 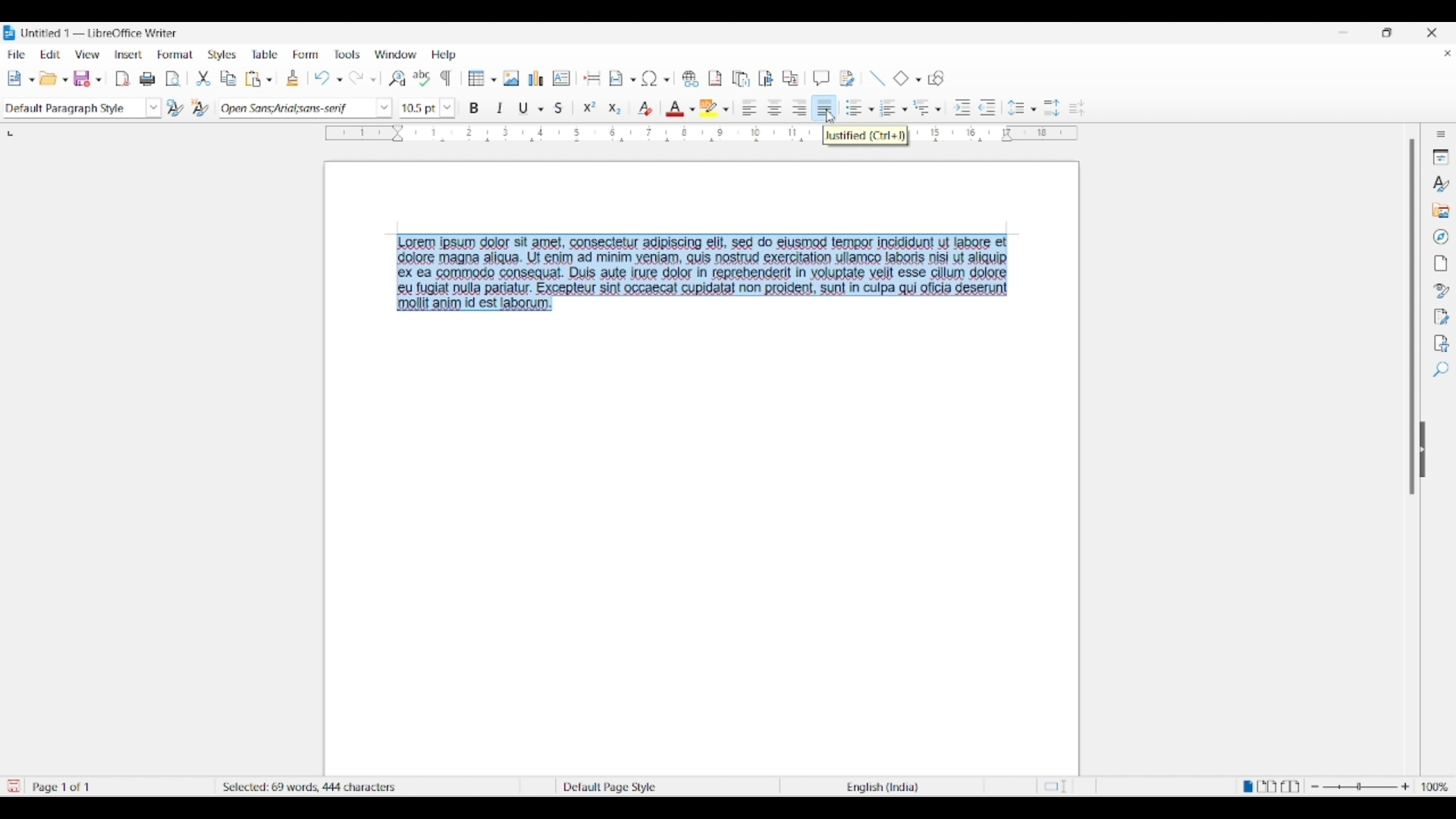 What do you see at coordinates (536, 78) in the screenshot?
I see `Insert chart` at bounding box center [536, 78].